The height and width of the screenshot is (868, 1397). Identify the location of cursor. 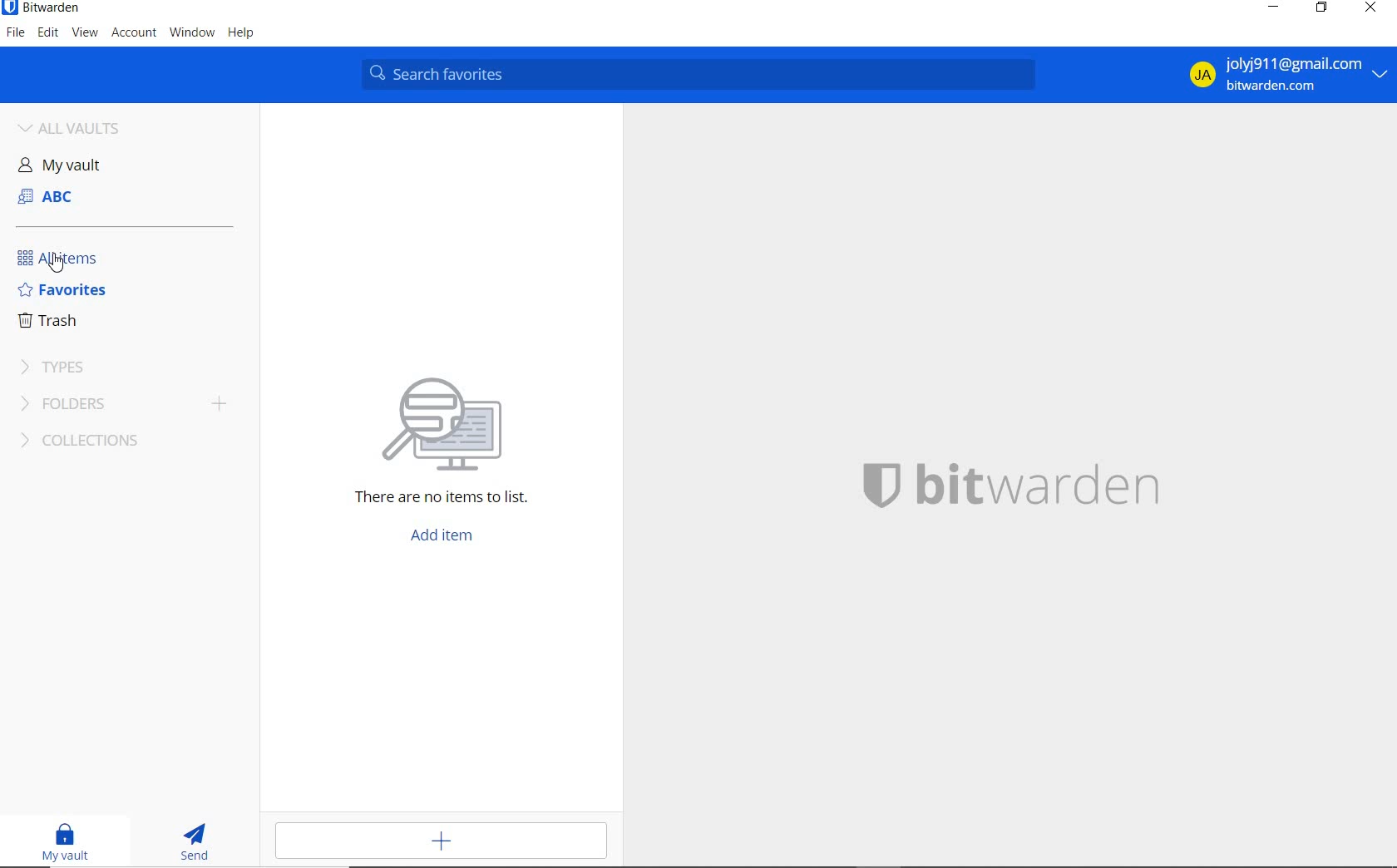
(61, 264).